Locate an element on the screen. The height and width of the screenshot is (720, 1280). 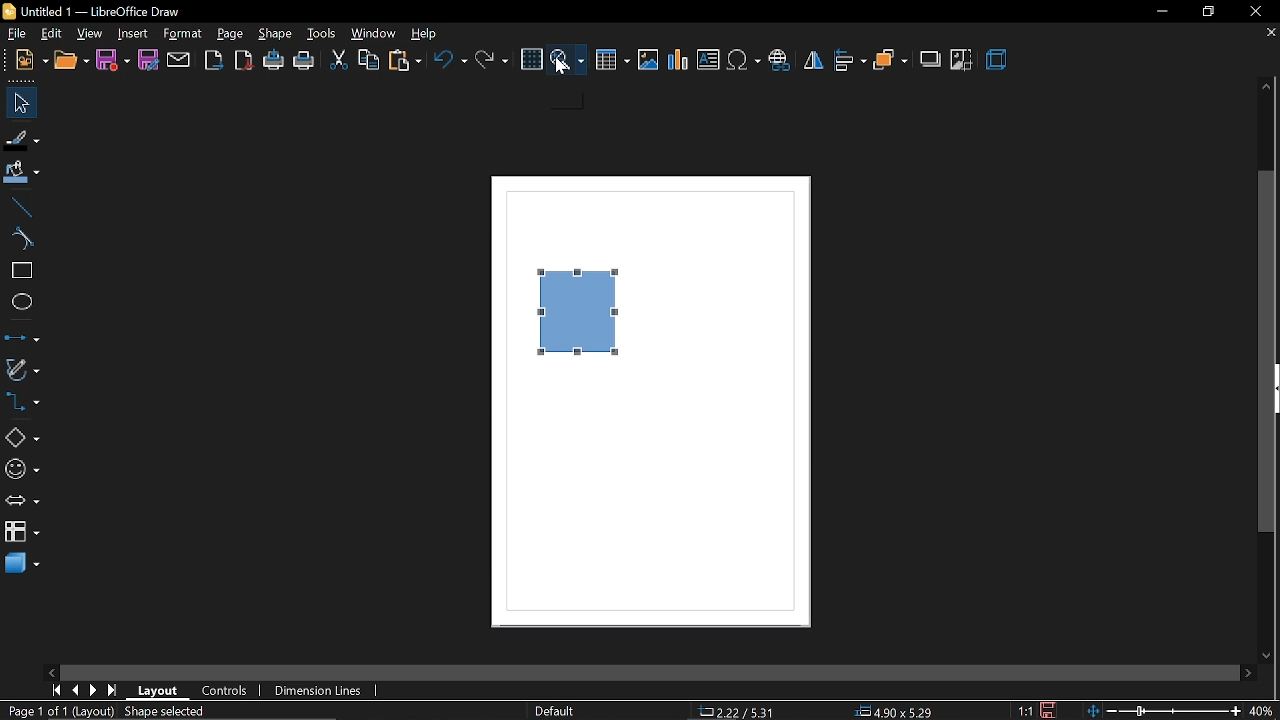
Insert hyperlink is located at coordinates (779, 60).